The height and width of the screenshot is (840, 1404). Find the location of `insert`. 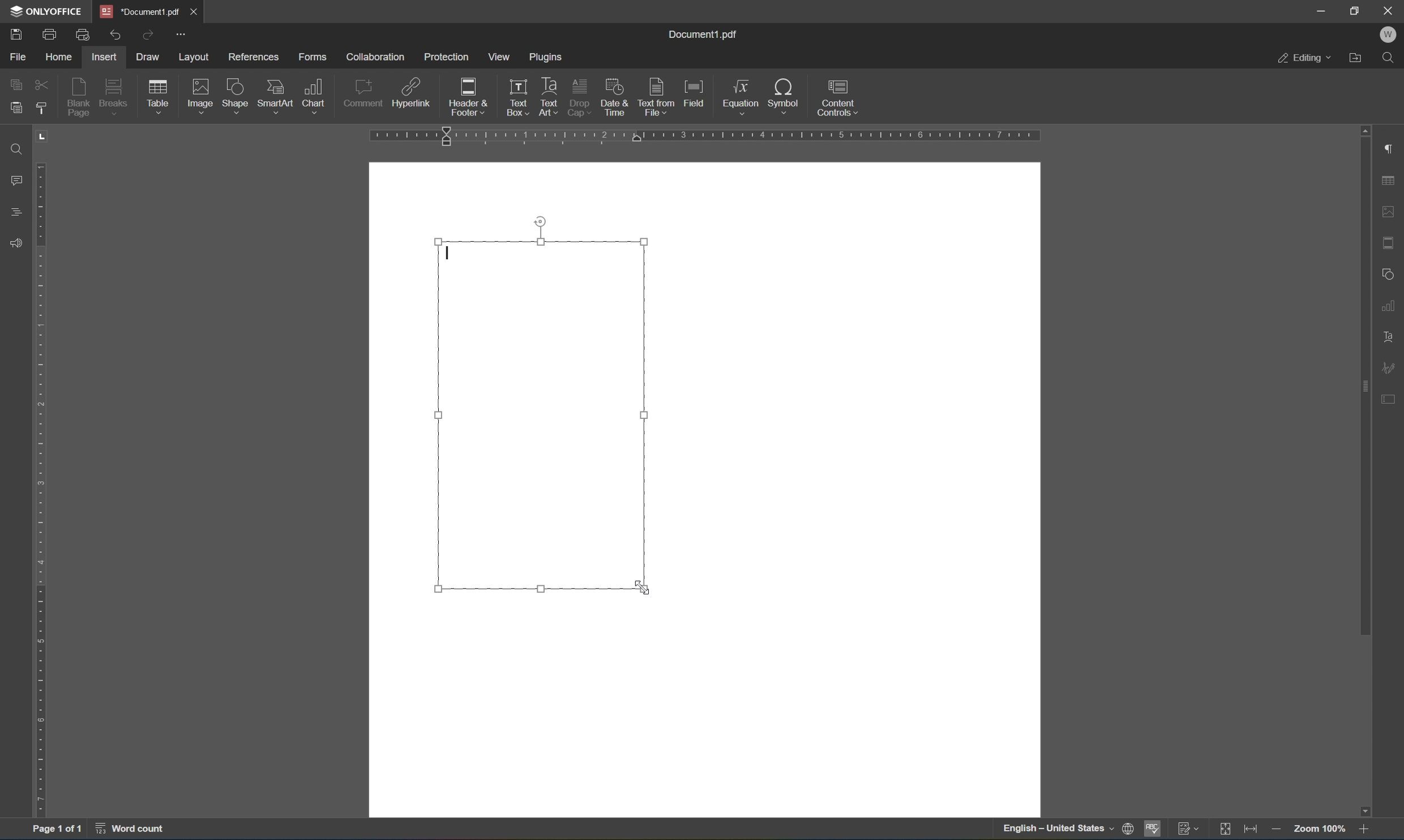

insert is located at coordinates (103, 57).